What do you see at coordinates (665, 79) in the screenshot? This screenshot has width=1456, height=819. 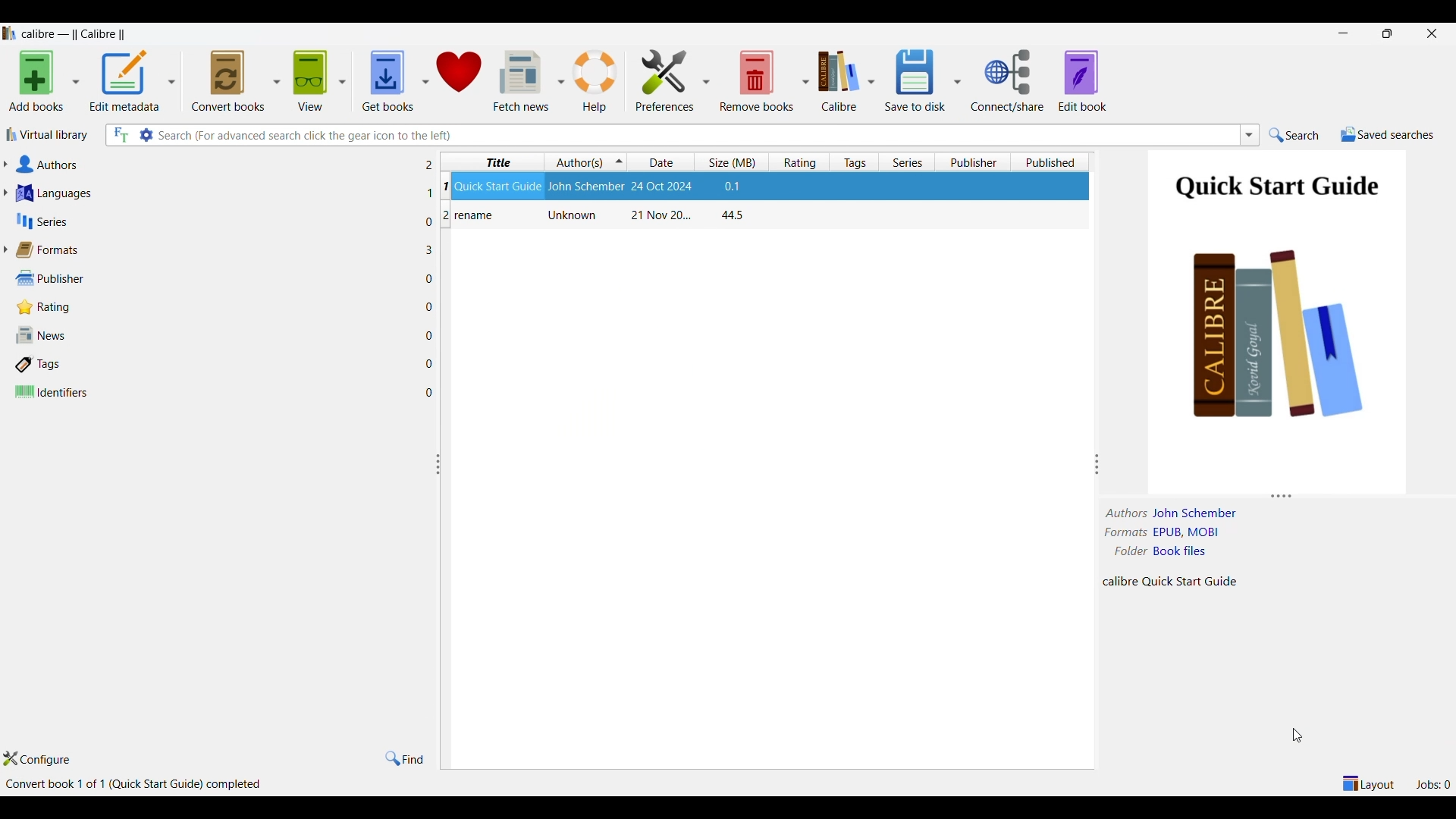 I see `Preferences` at bounding box center [665, 79].